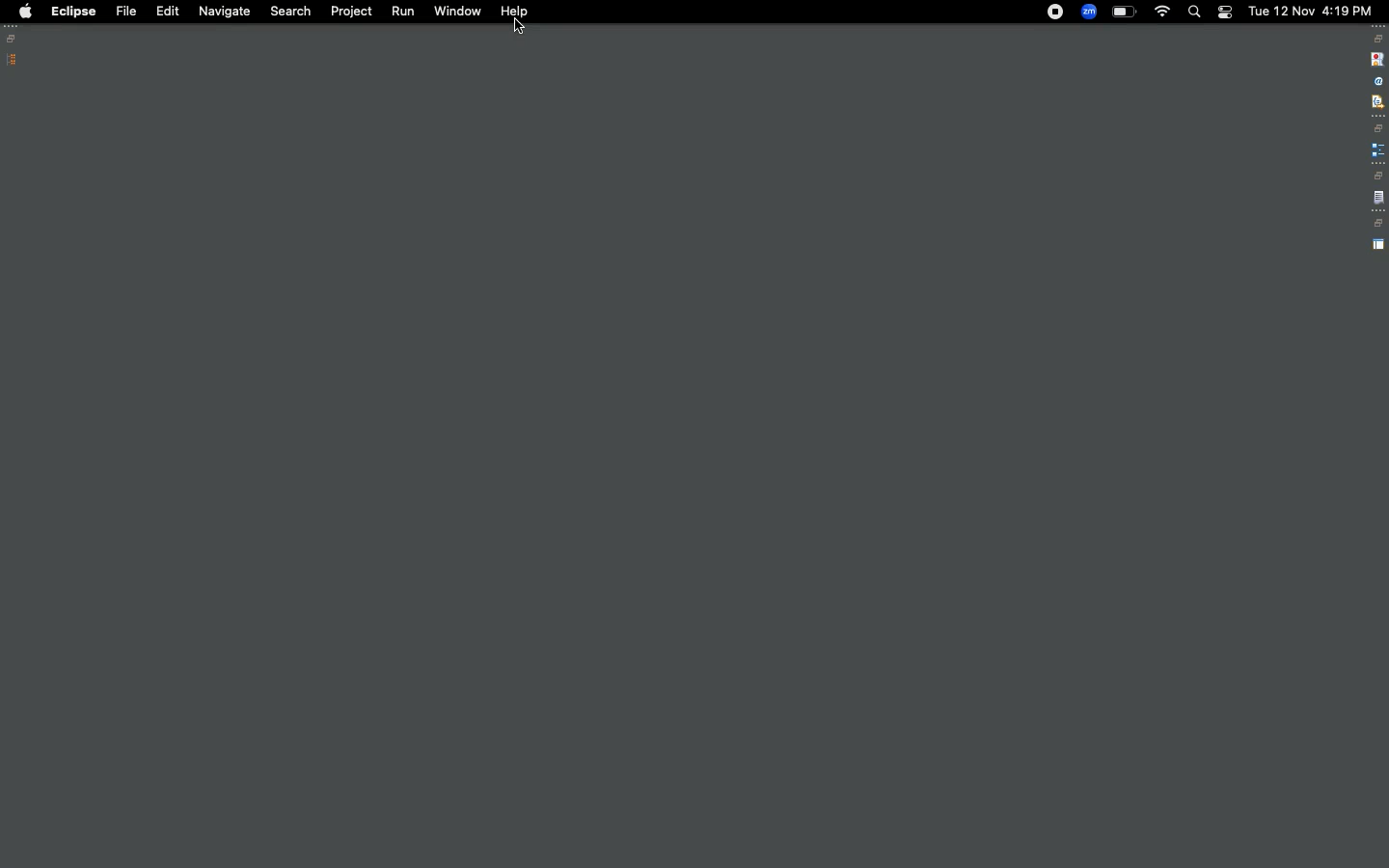 This screenshot has width=1389, height=868. Describe the element at coordinates (13, 60) in the screenshot. I see `Package explorer` at that location.